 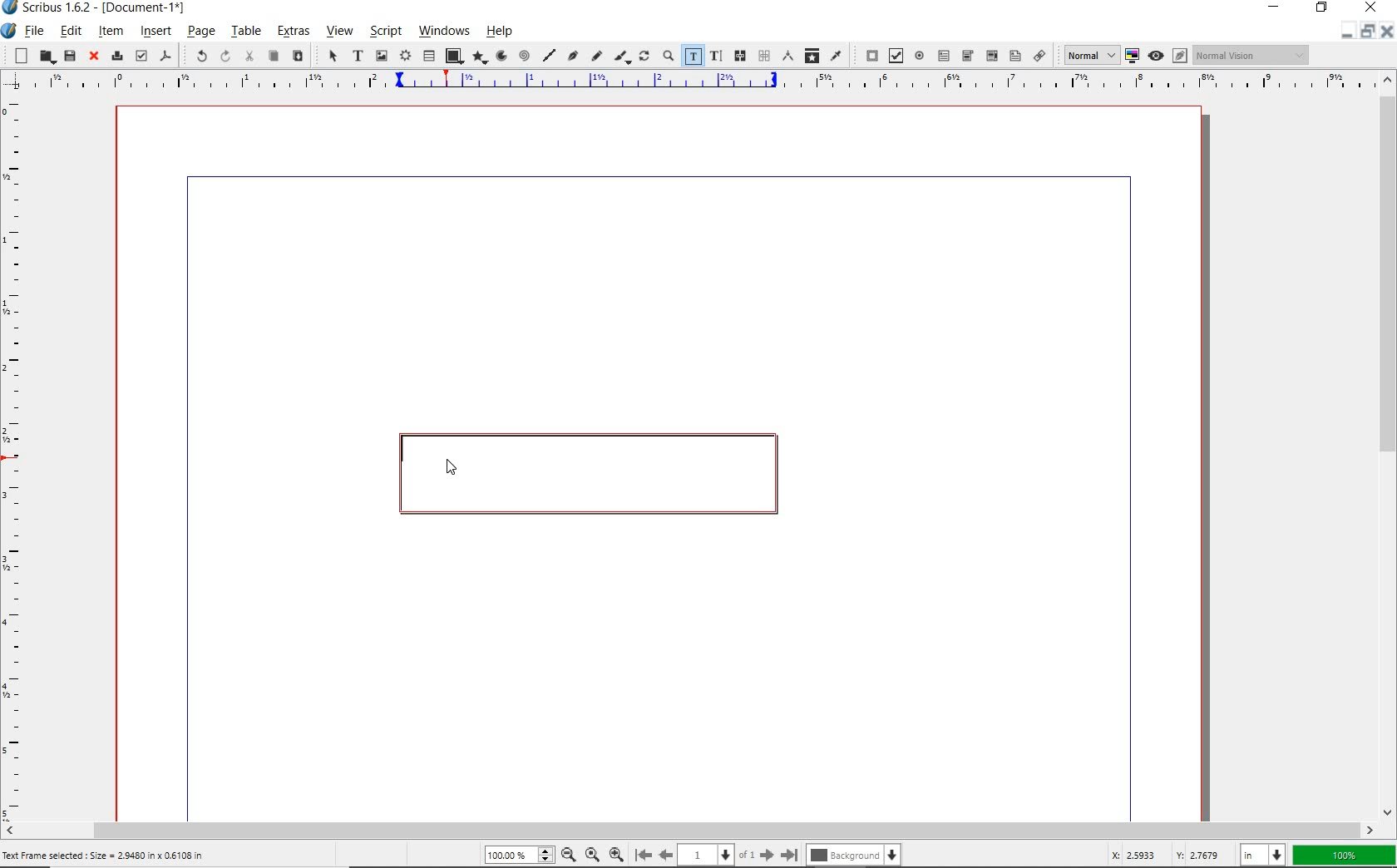 I want to click on Scribus 1.6.2 - [Document-1*], so click(x=99, y=10).